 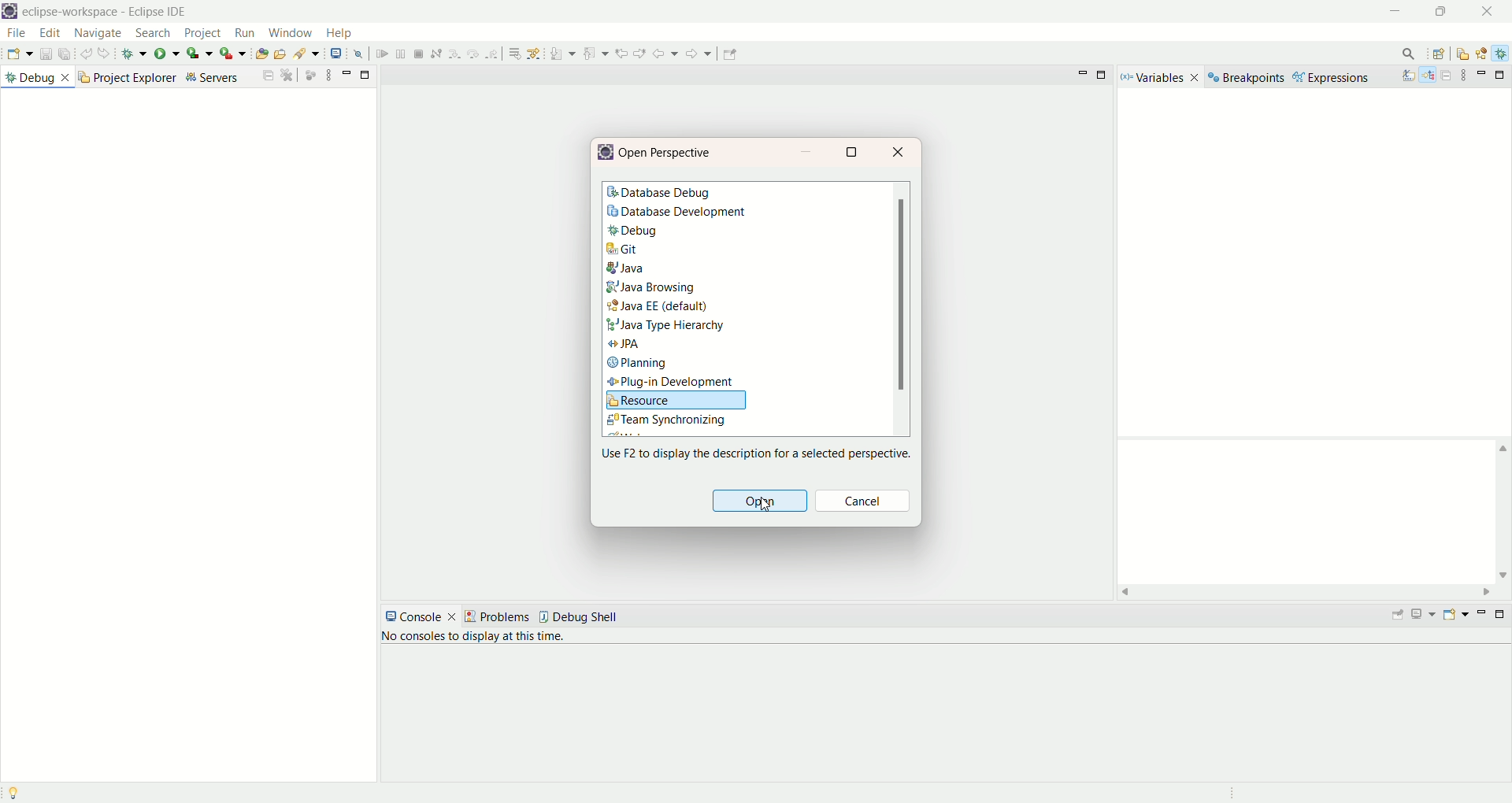 I want to click on debug, so click(x=1503, y=54).